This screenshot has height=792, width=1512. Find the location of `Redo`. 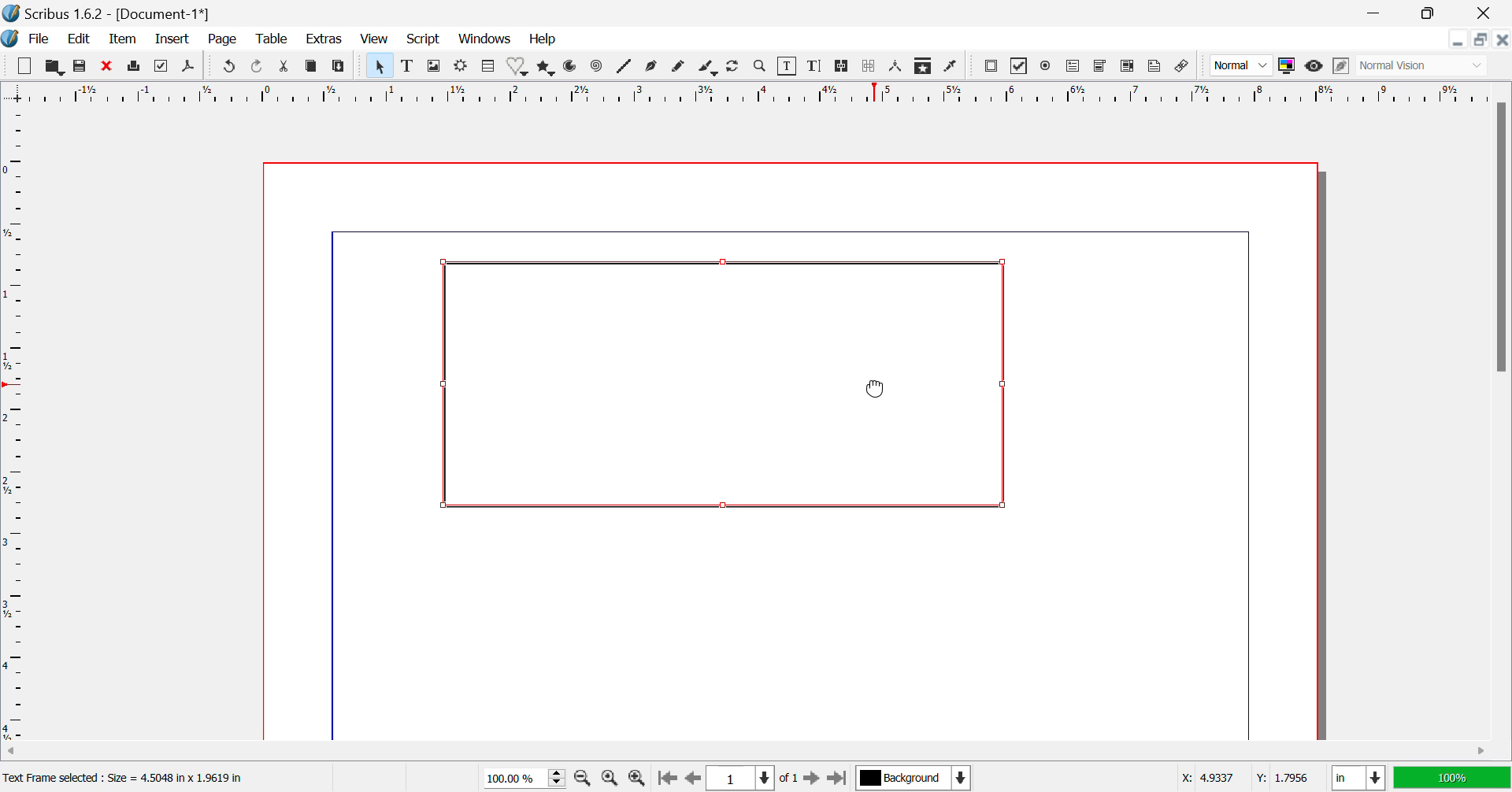

Redo is located at coordinates (257, 68).